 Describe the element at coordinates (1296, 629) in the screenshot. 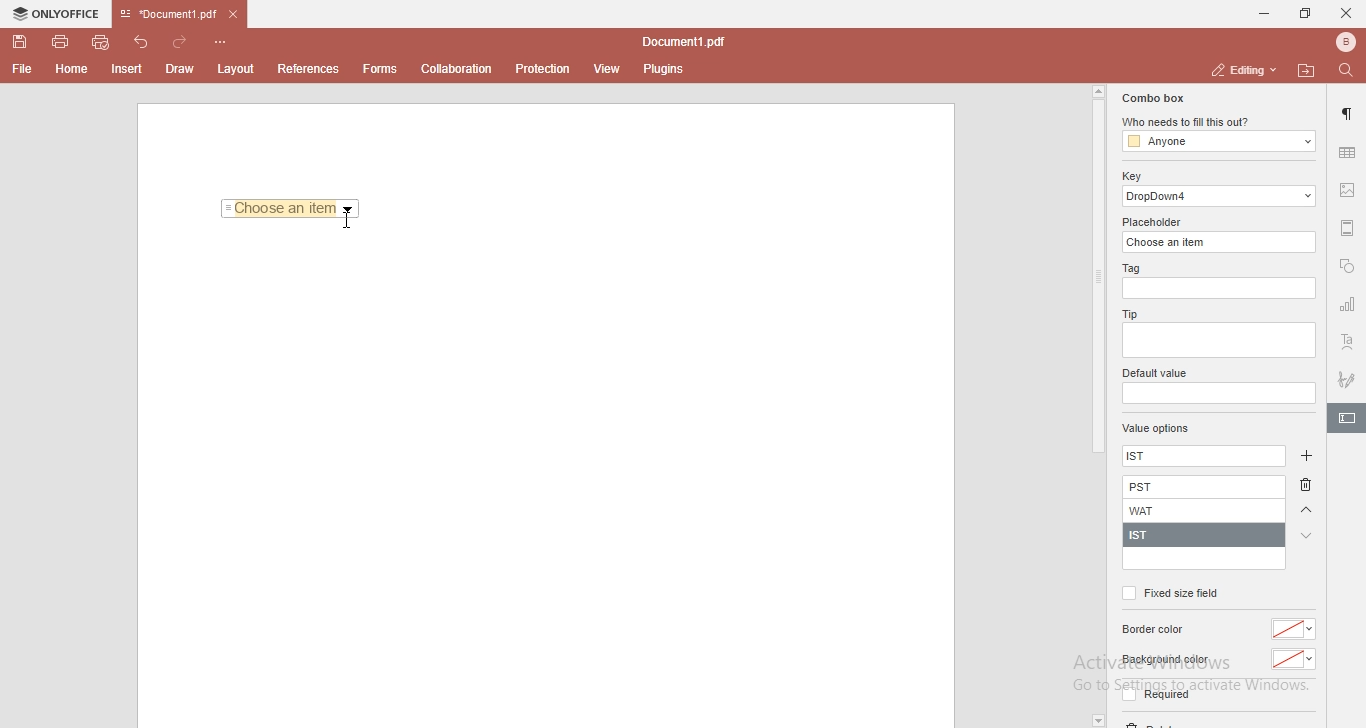

I see `color dropdown` at that location.